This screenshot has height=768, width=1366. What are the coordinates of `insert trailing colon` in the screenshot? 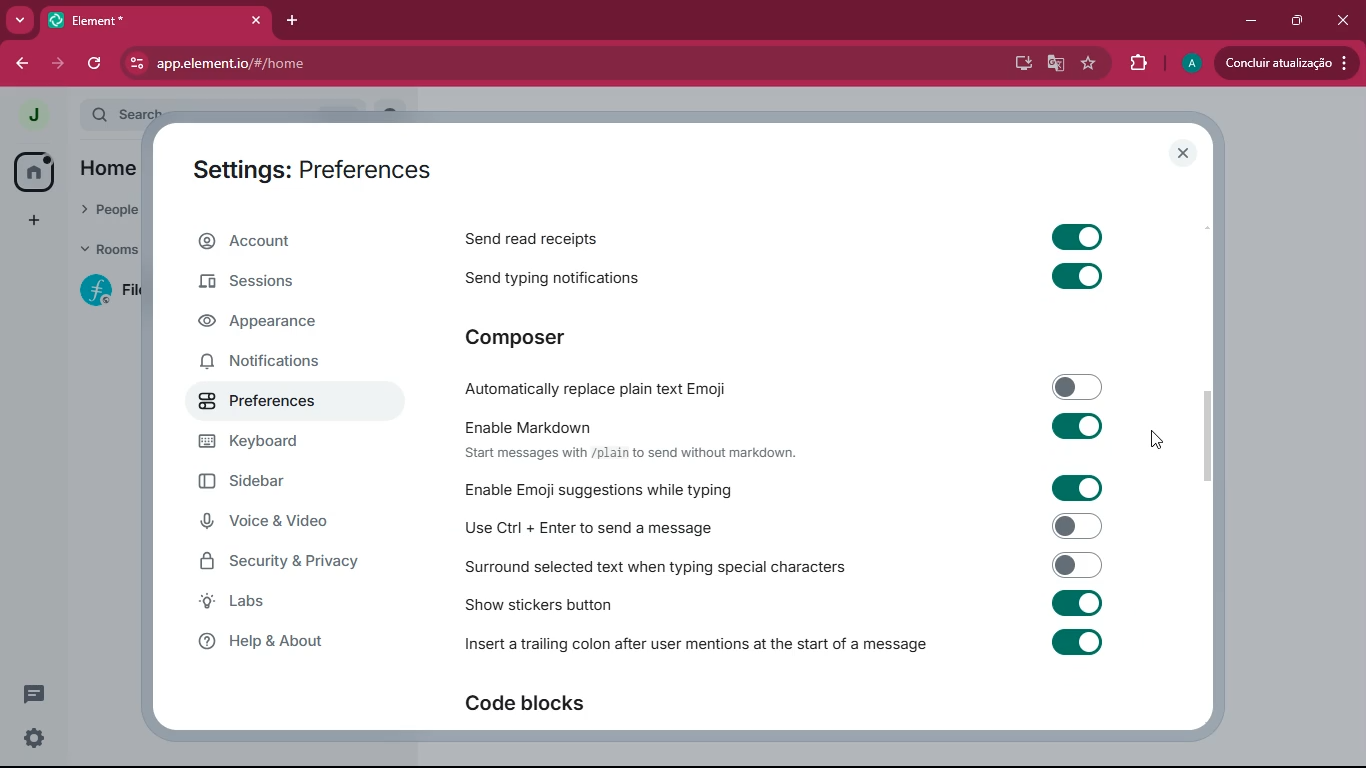 It's located at (697, 646).